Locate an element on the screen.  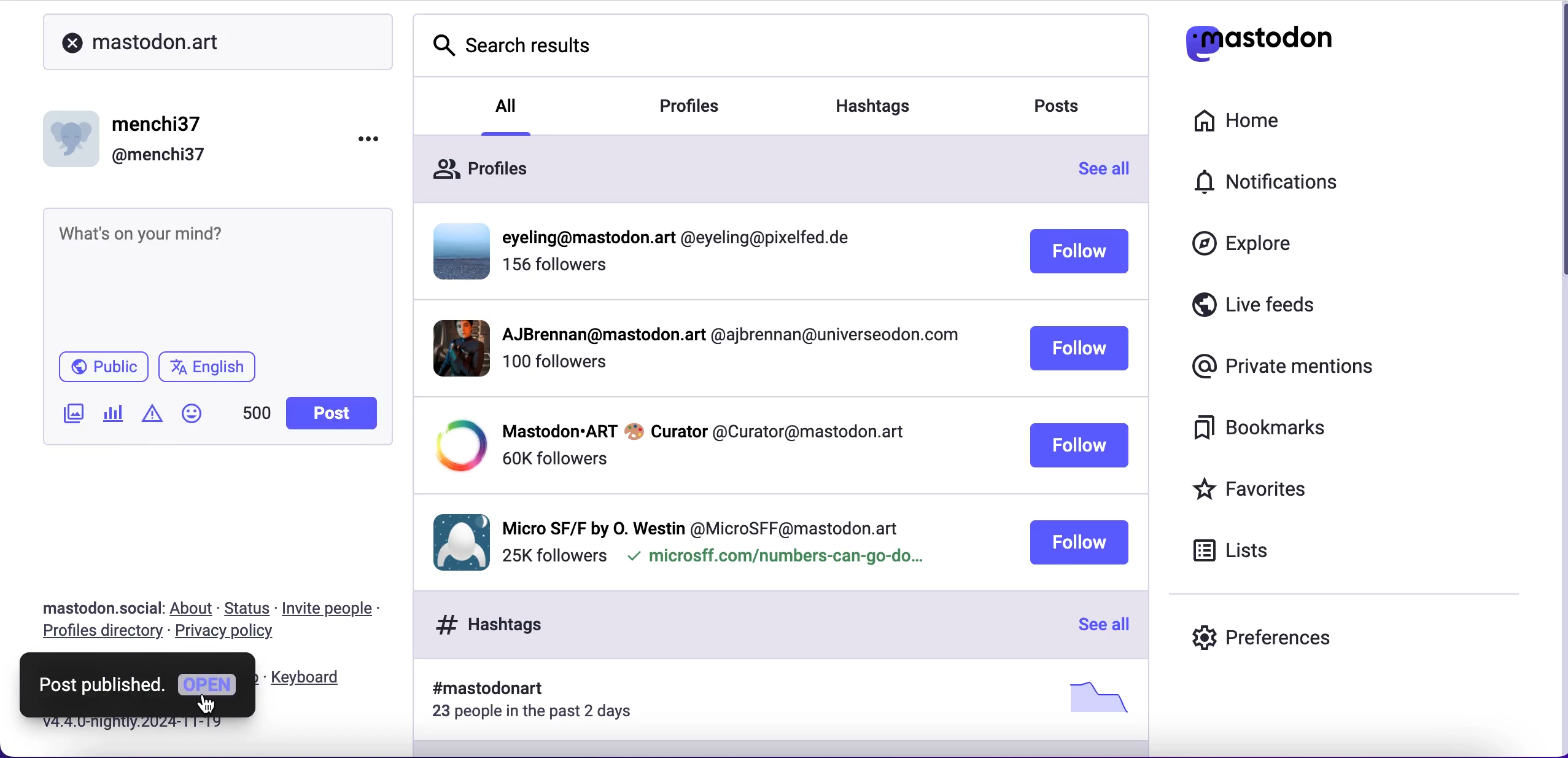
text post is located at coordinates (145, 233).